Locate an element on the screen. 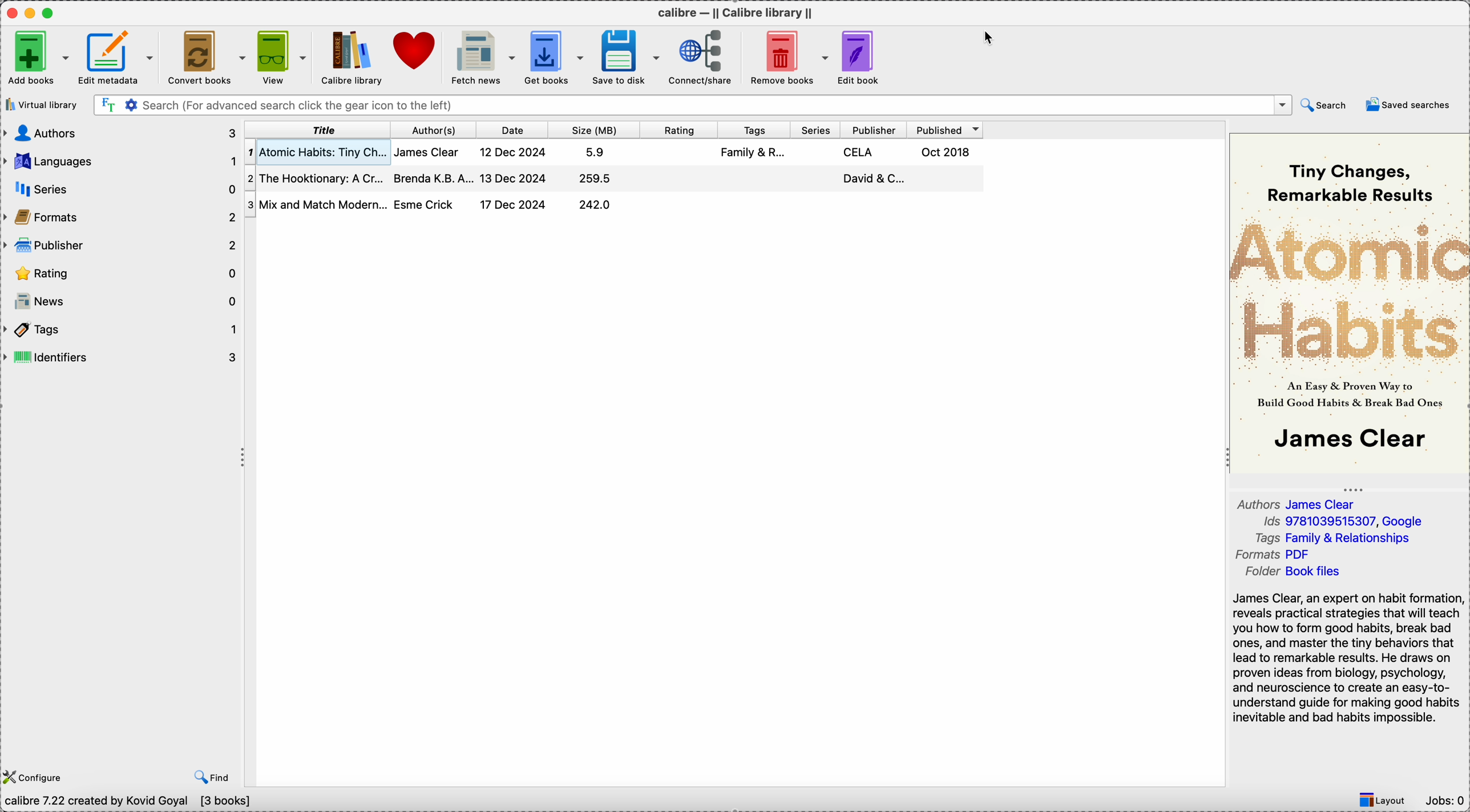 This screenshot has width=1470, height=812. Atomic Habits: Tiny Ch... is located at coordinates (316, 151).